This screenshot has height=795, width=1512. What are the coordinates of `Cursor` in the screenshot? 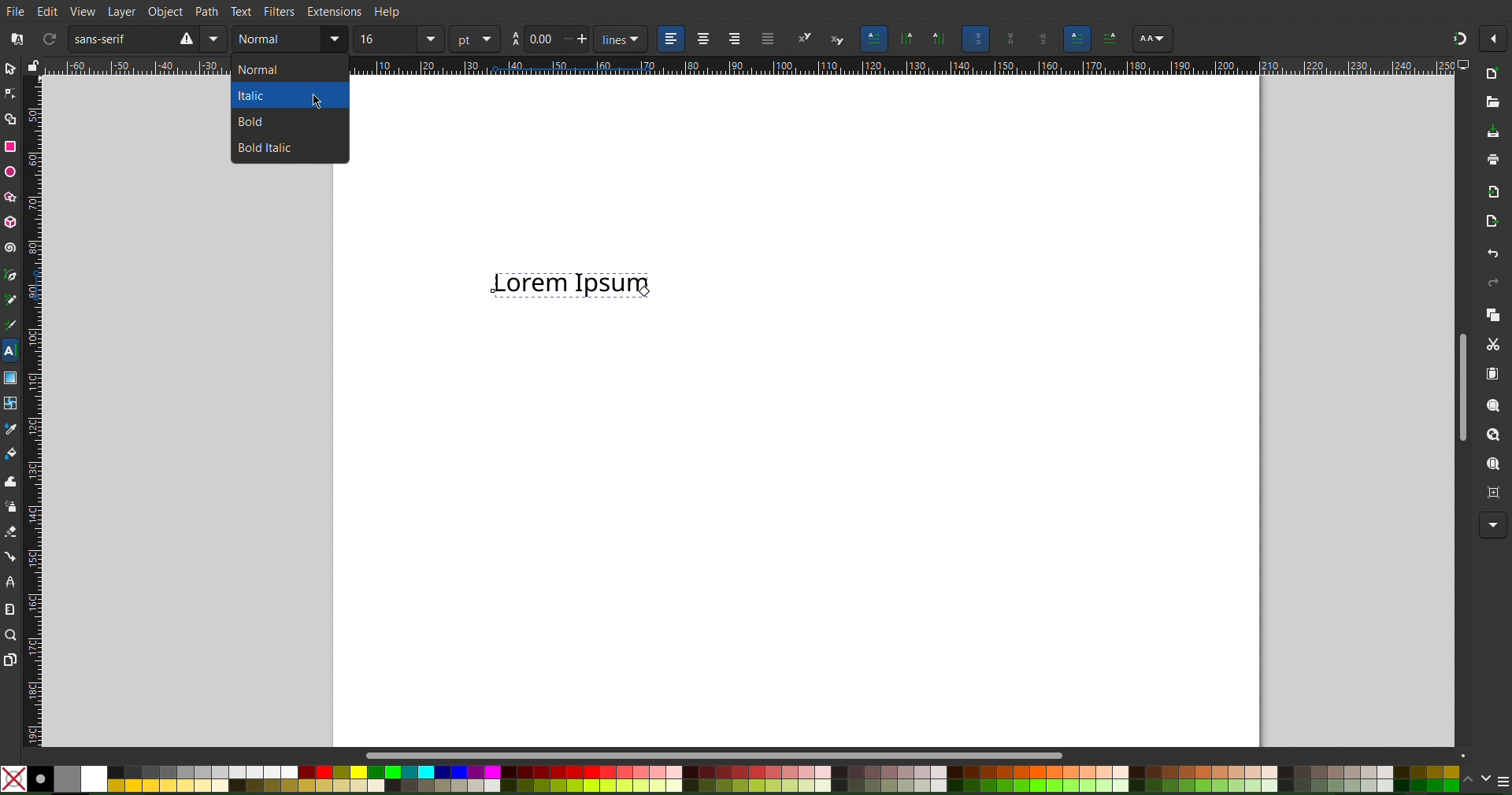 It's located at (321, 101).